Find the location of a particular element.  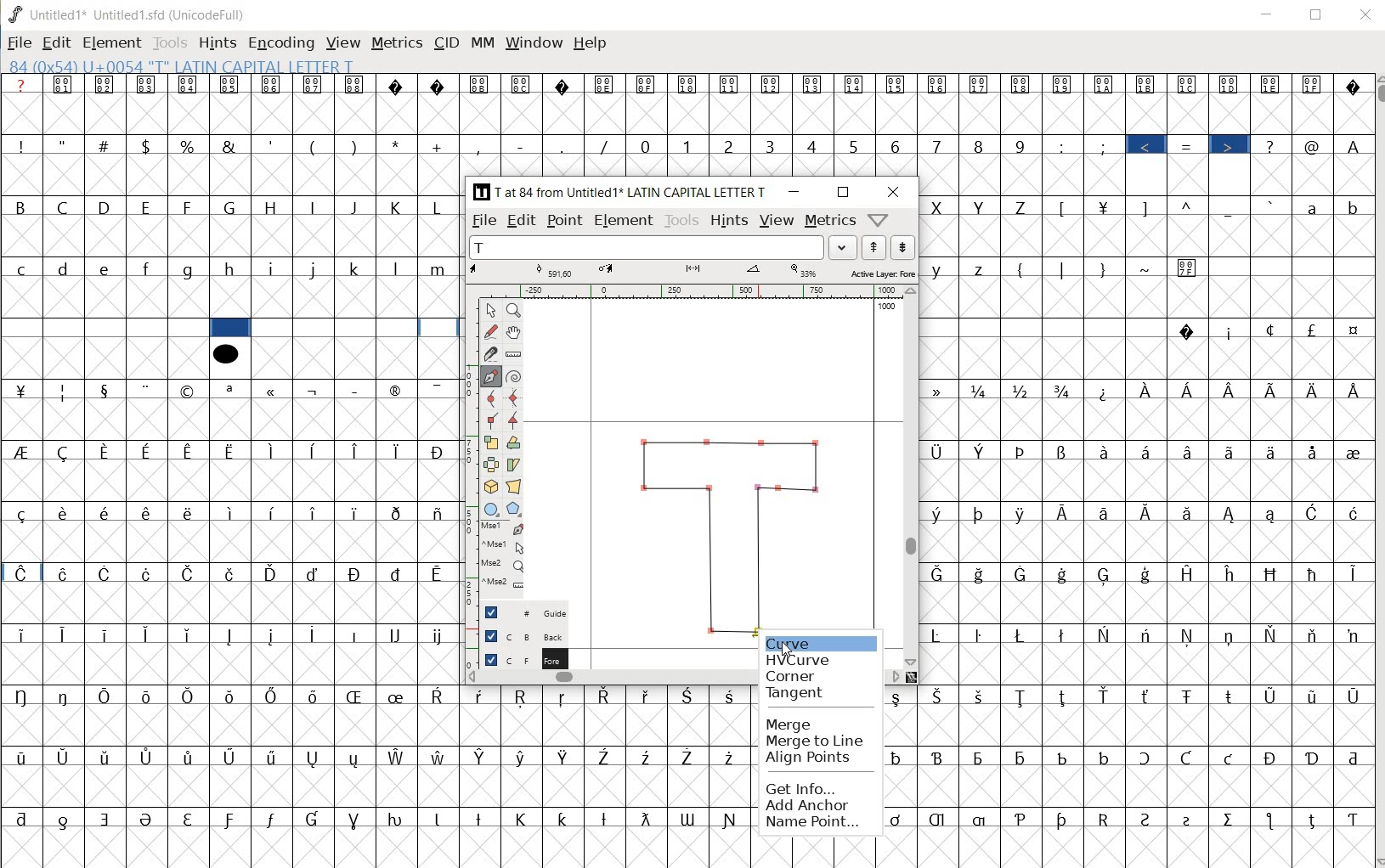

Symbol is located at coordinates (231, 758).